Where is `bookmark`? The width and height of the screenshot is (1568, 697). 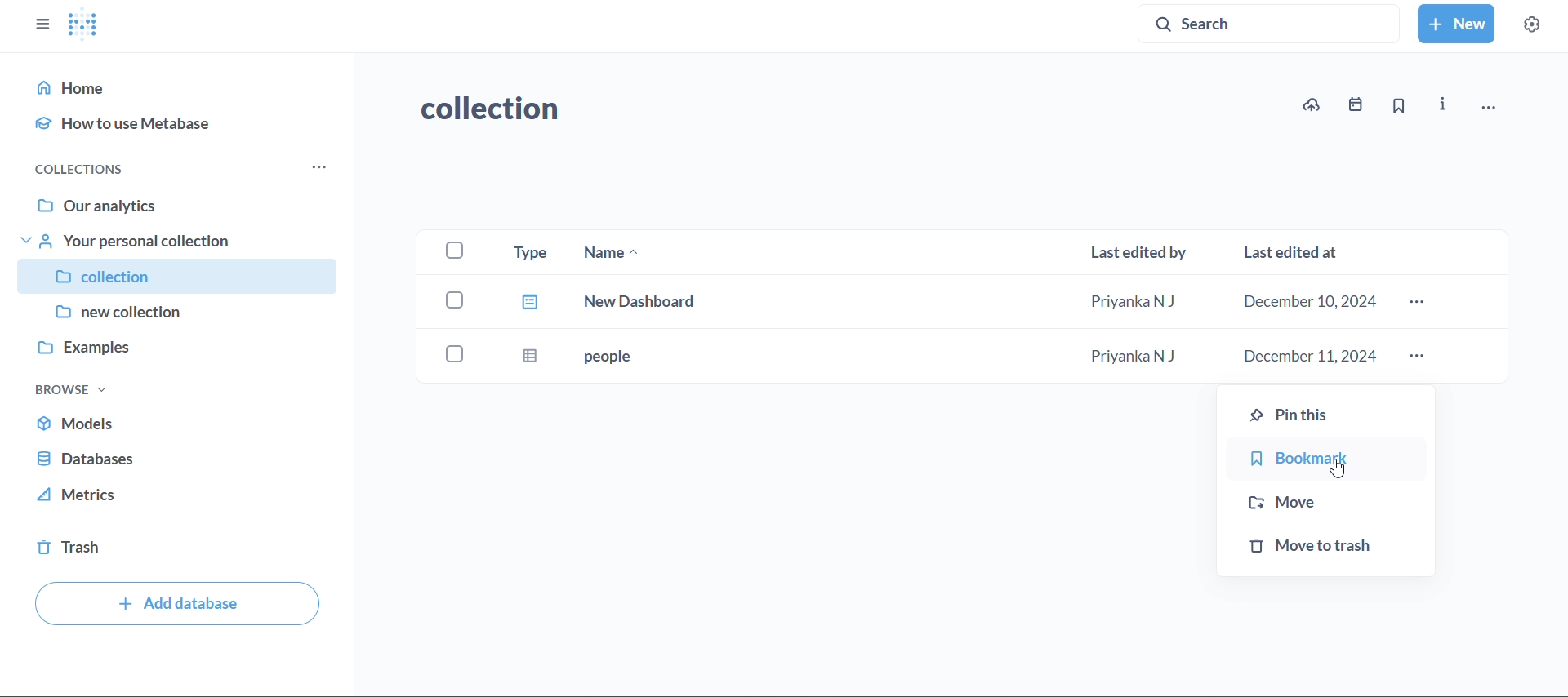 bookmark is located at coordinates (1396, 107).